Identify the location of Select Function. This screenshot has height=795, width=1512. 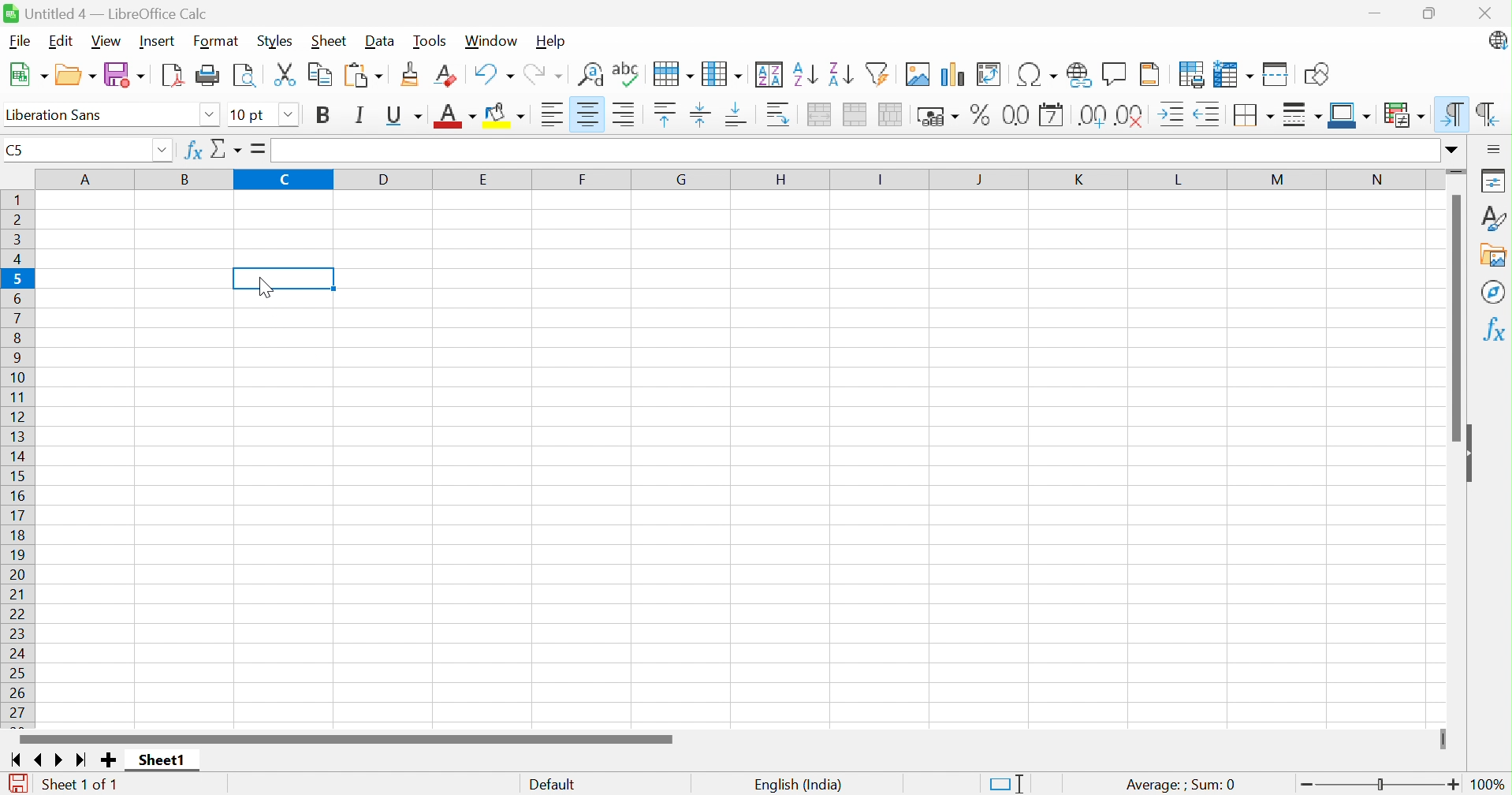
(229, 150).